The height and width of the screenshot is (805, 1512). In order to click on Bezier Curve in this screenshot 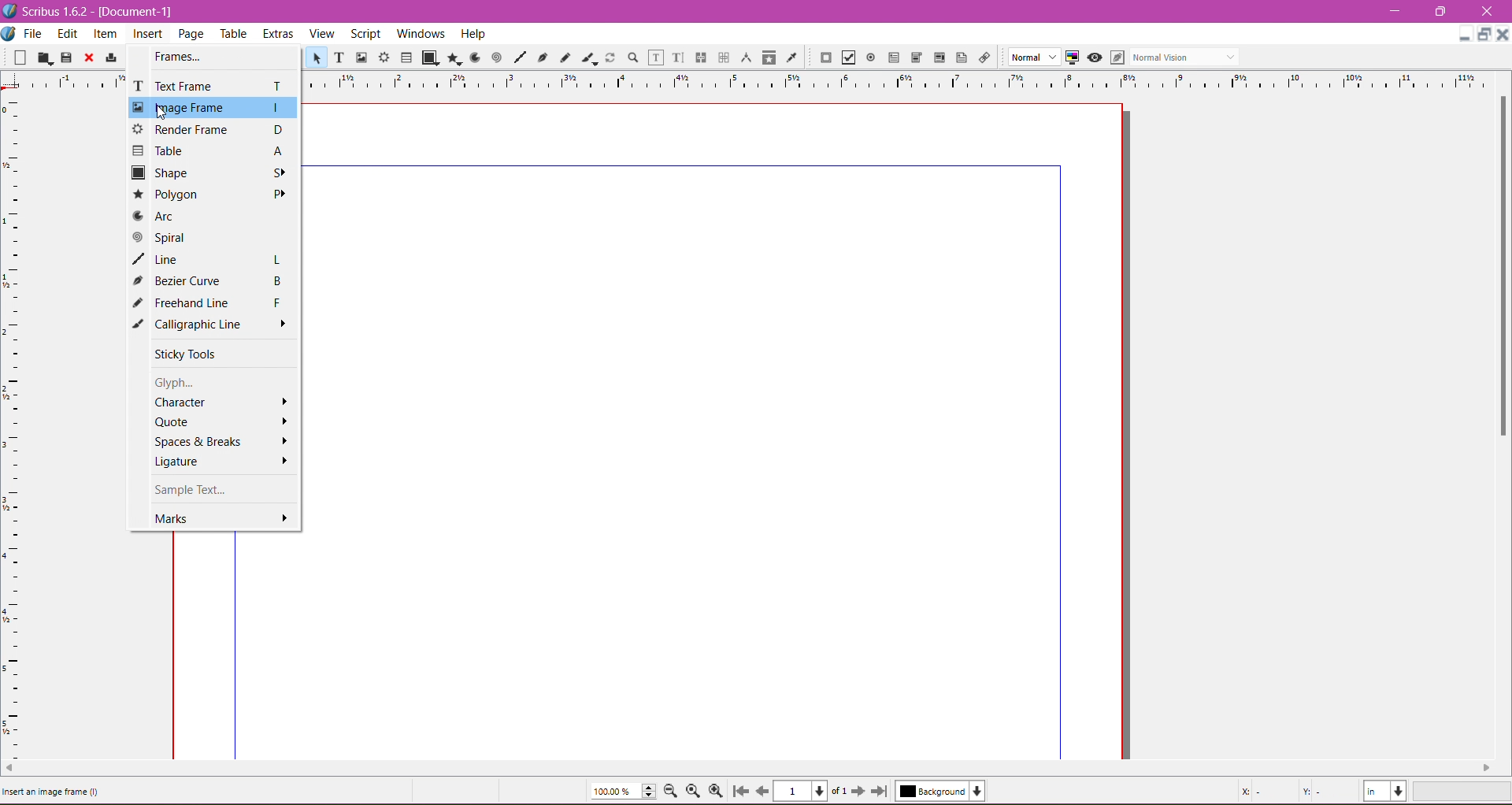, I will do `click(213, 280)`.